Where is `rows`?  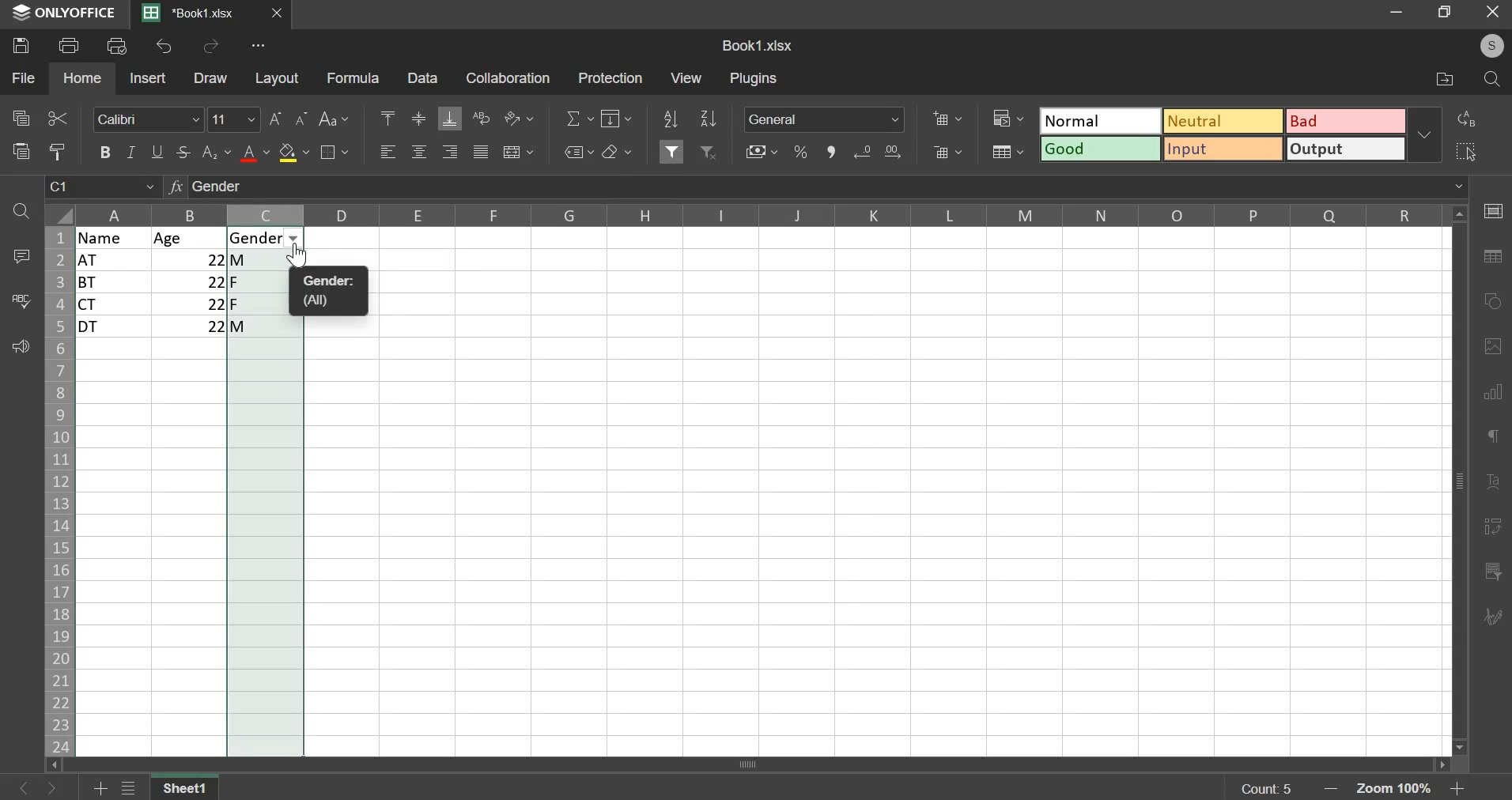 rows is located at coordinates (57, 492).